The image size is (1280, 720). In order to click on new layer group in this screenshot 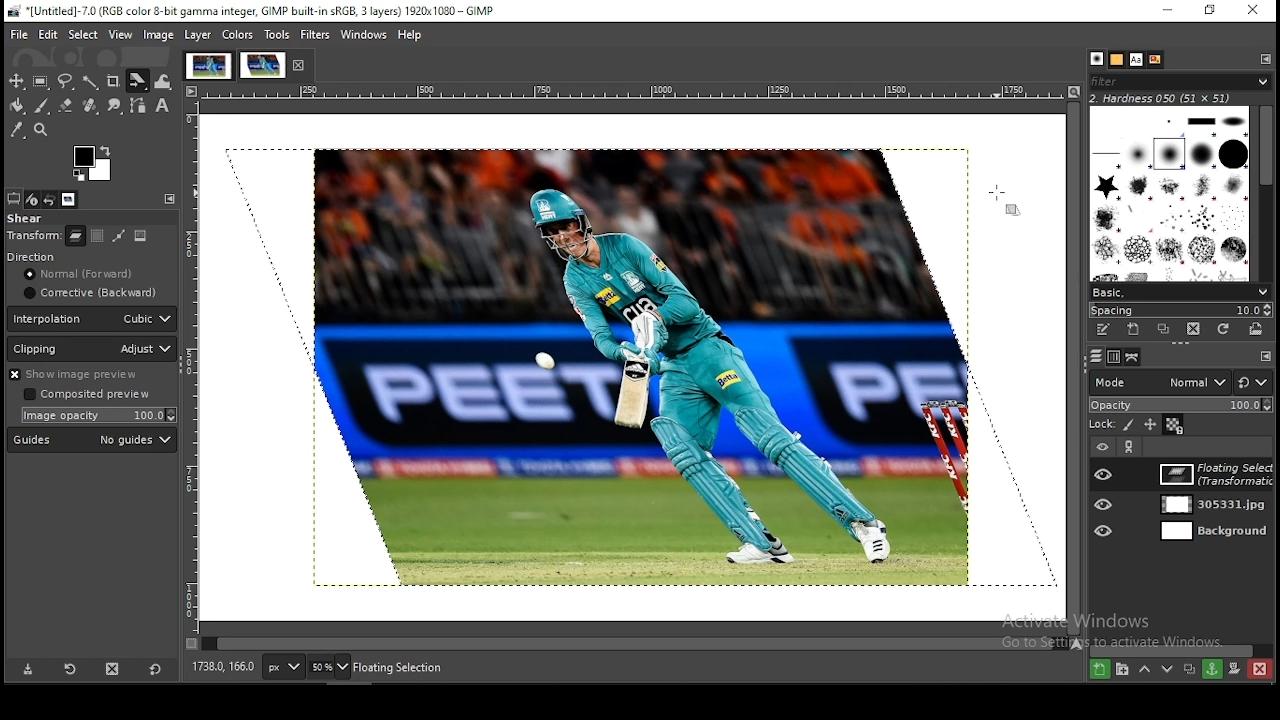, I will do `click(1121, 670)`.